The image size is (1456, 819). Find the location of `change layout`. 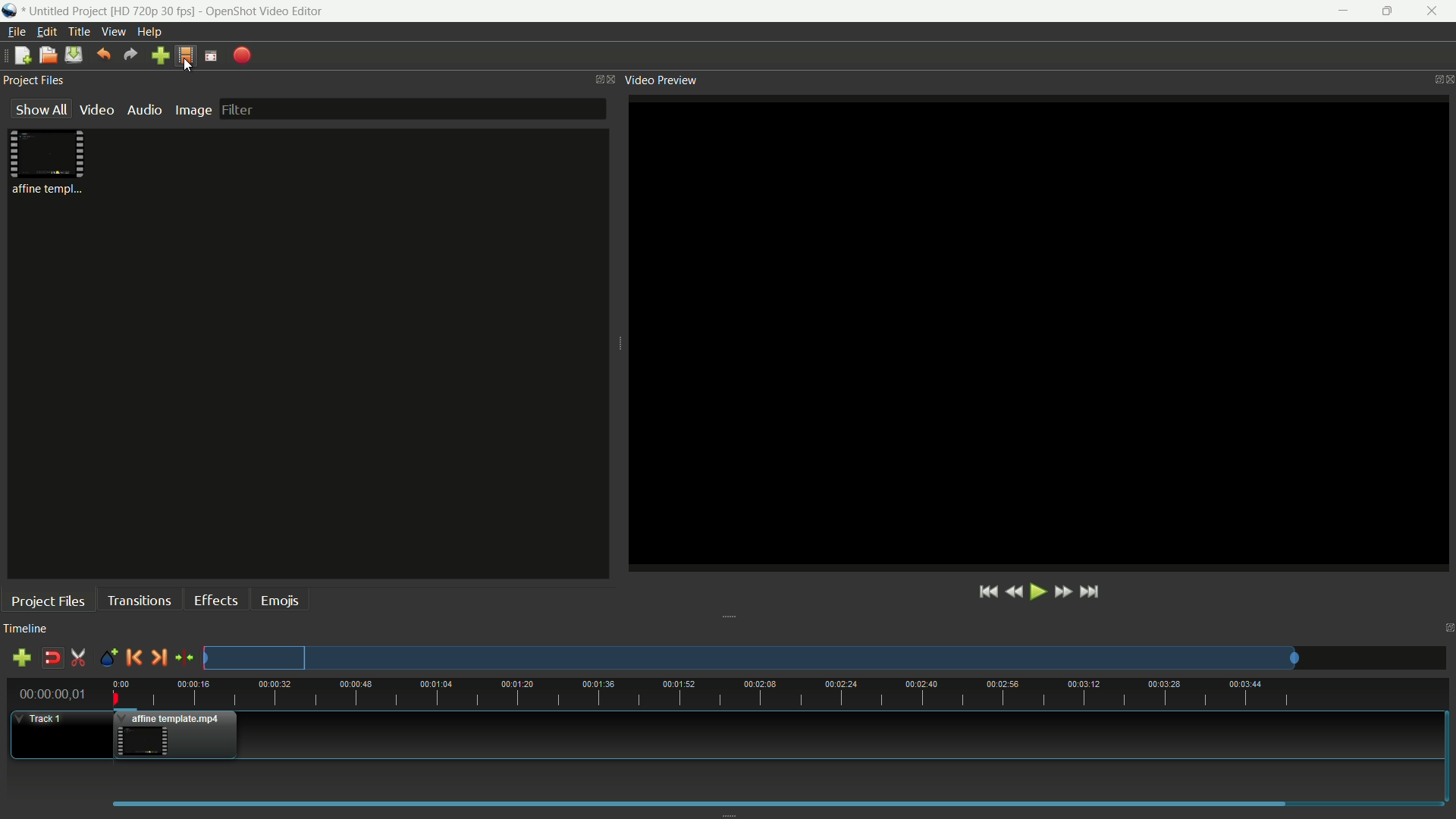

change layout is located at coordinates (595, 79).